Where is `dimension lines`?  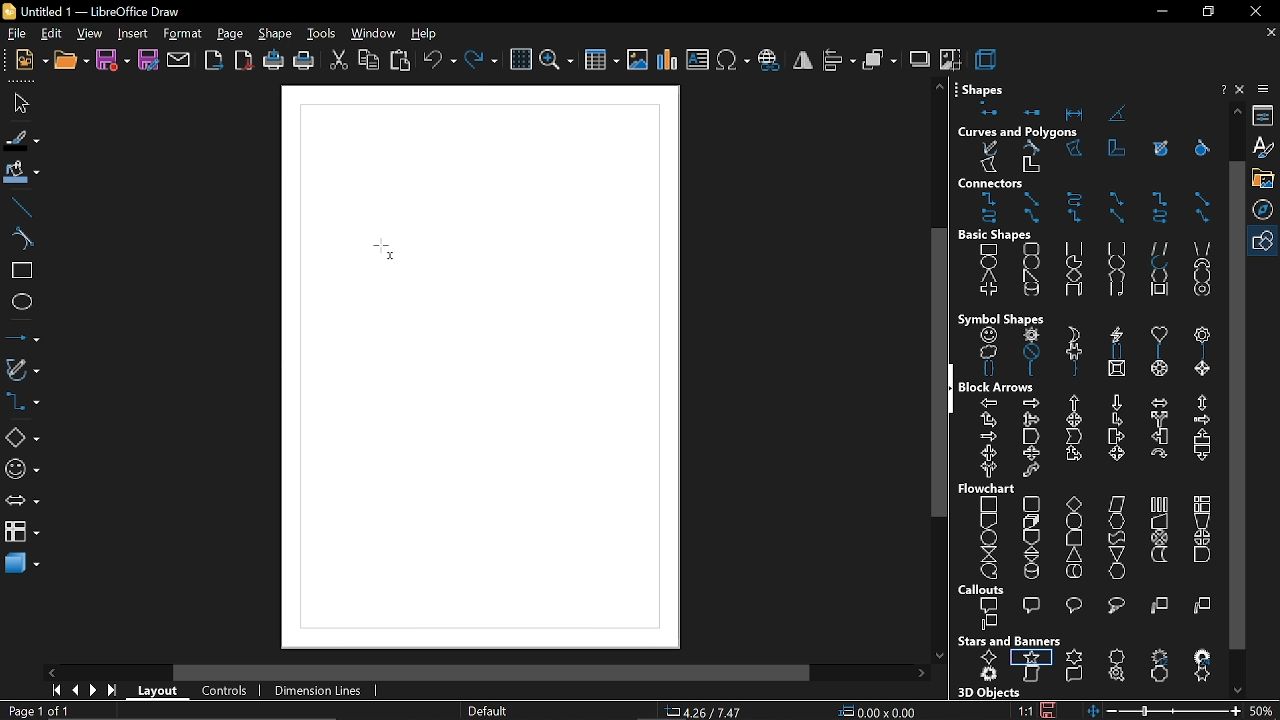
dimension lines is located at coordinates (315, 691).